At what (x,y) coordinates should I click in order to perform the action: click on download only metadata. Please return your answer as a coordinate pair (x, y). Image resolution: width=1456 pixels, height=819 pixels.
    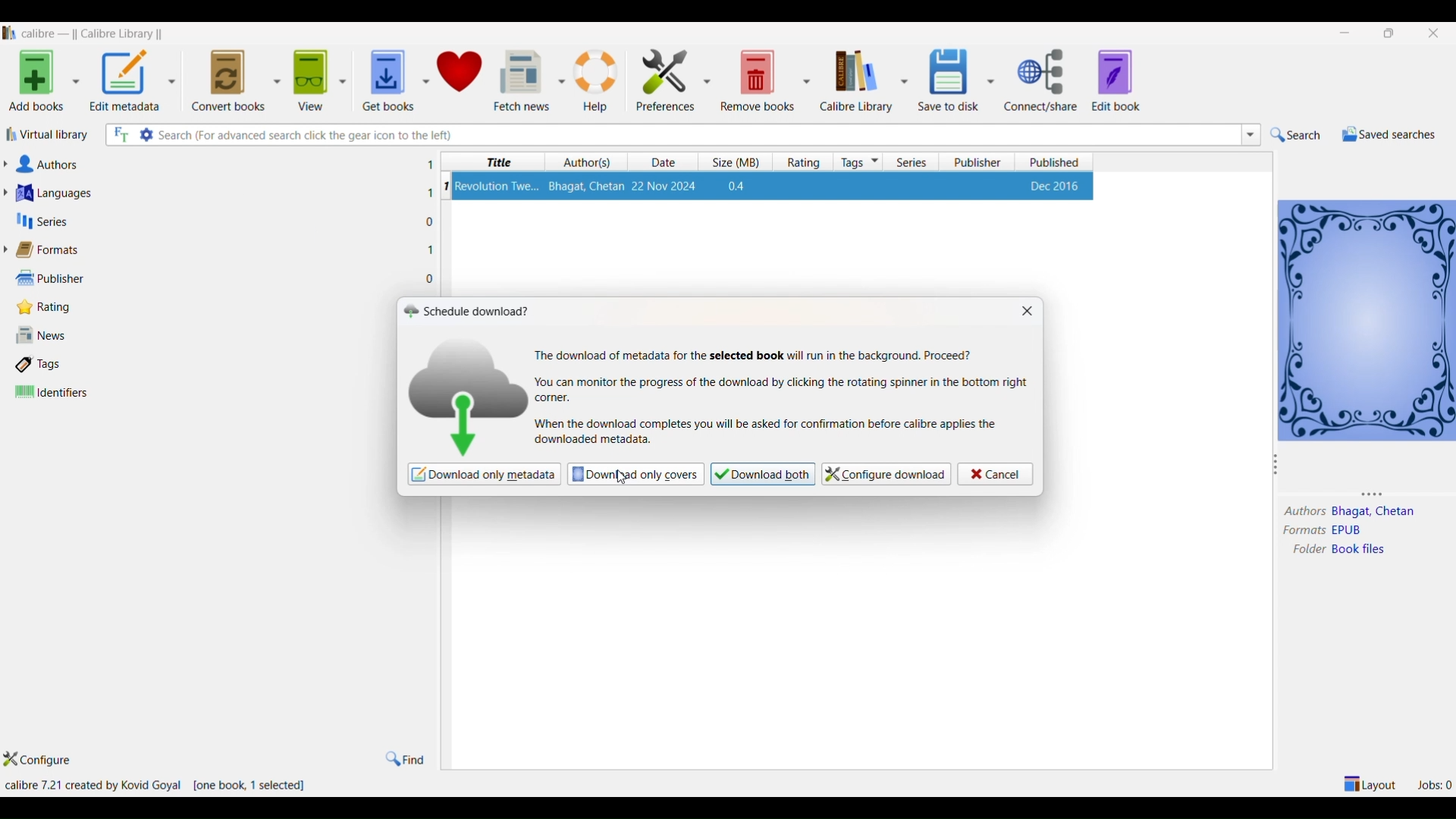
    Looking at the image, I should click on (484, 475).